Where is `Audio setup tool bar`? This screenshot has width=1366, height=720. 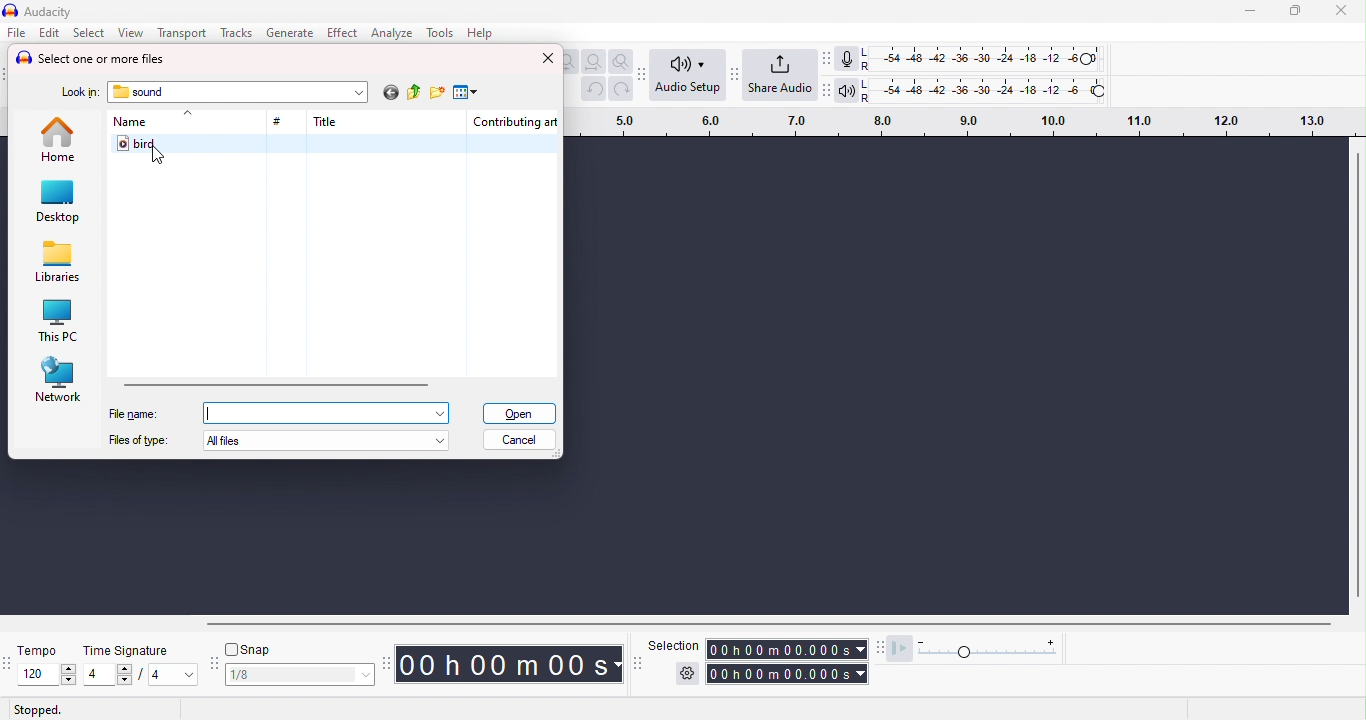 Audio setup tool bar is located at coordinates (645, 73).